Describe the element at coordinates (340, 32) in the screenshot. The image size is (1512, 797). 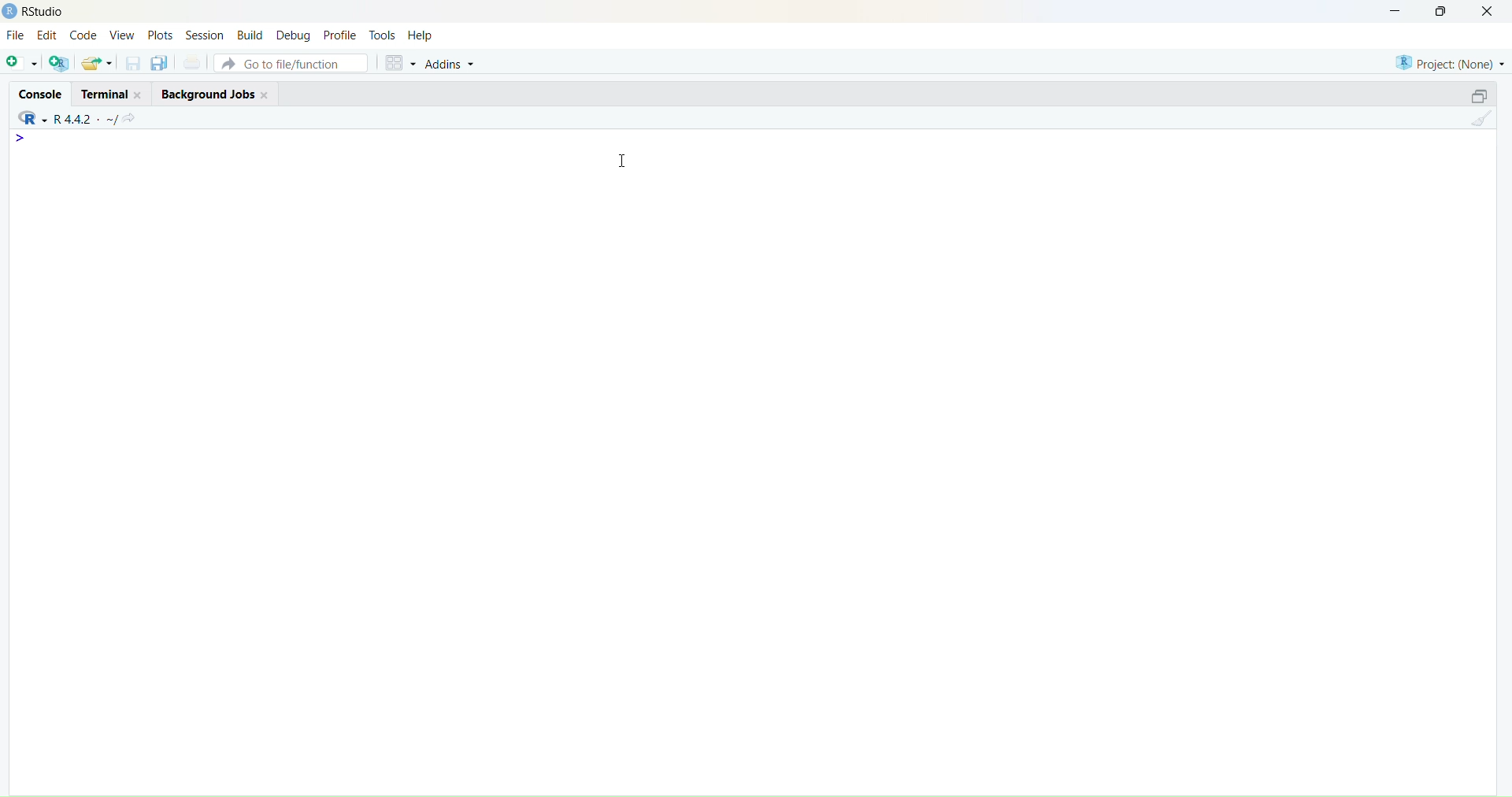
I see `Profile` at that location.